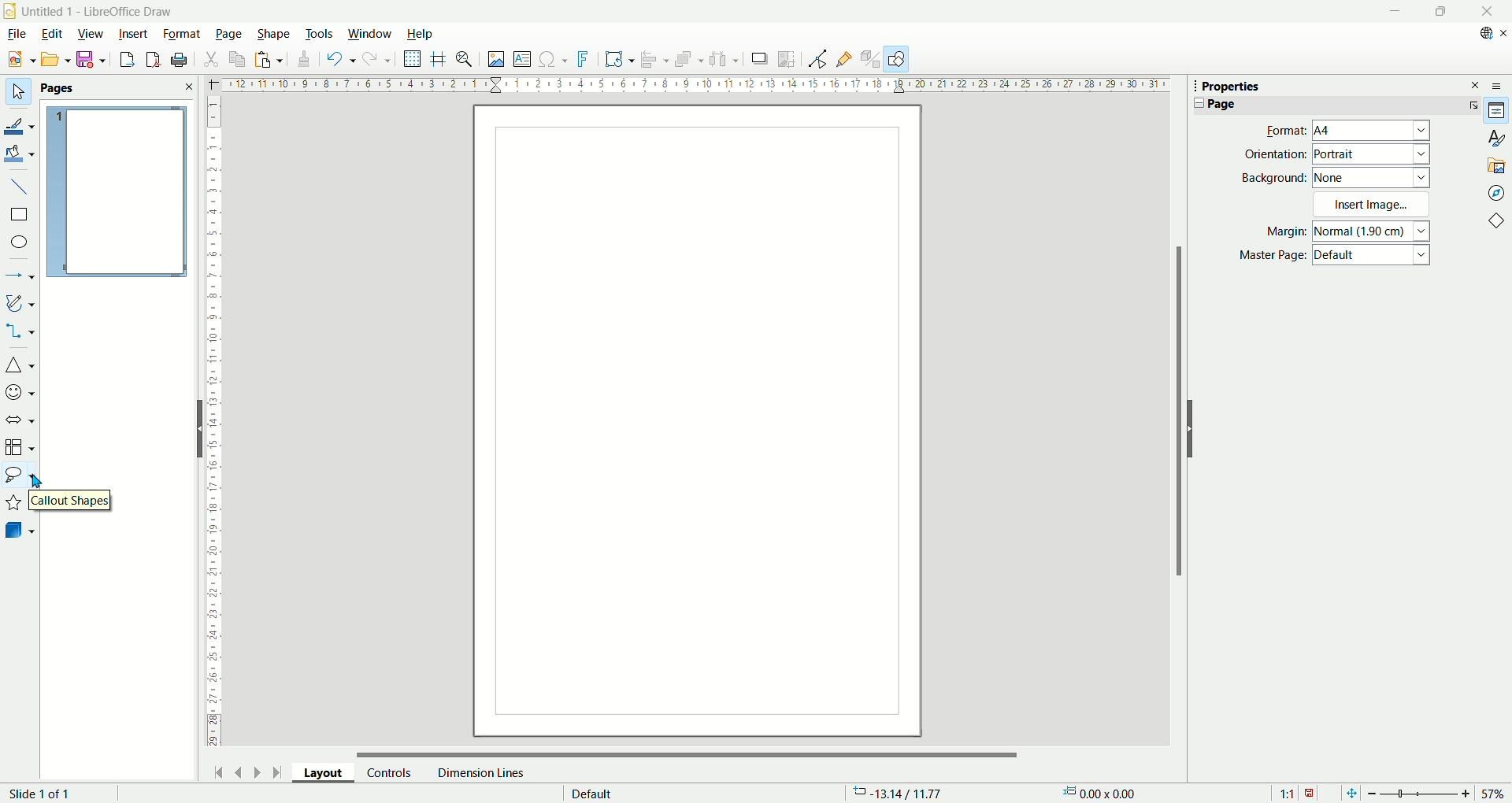  What do you see at coordinates (1487, 12) in the screenshot?
I see `Close` at bounding box center [1487, 12].